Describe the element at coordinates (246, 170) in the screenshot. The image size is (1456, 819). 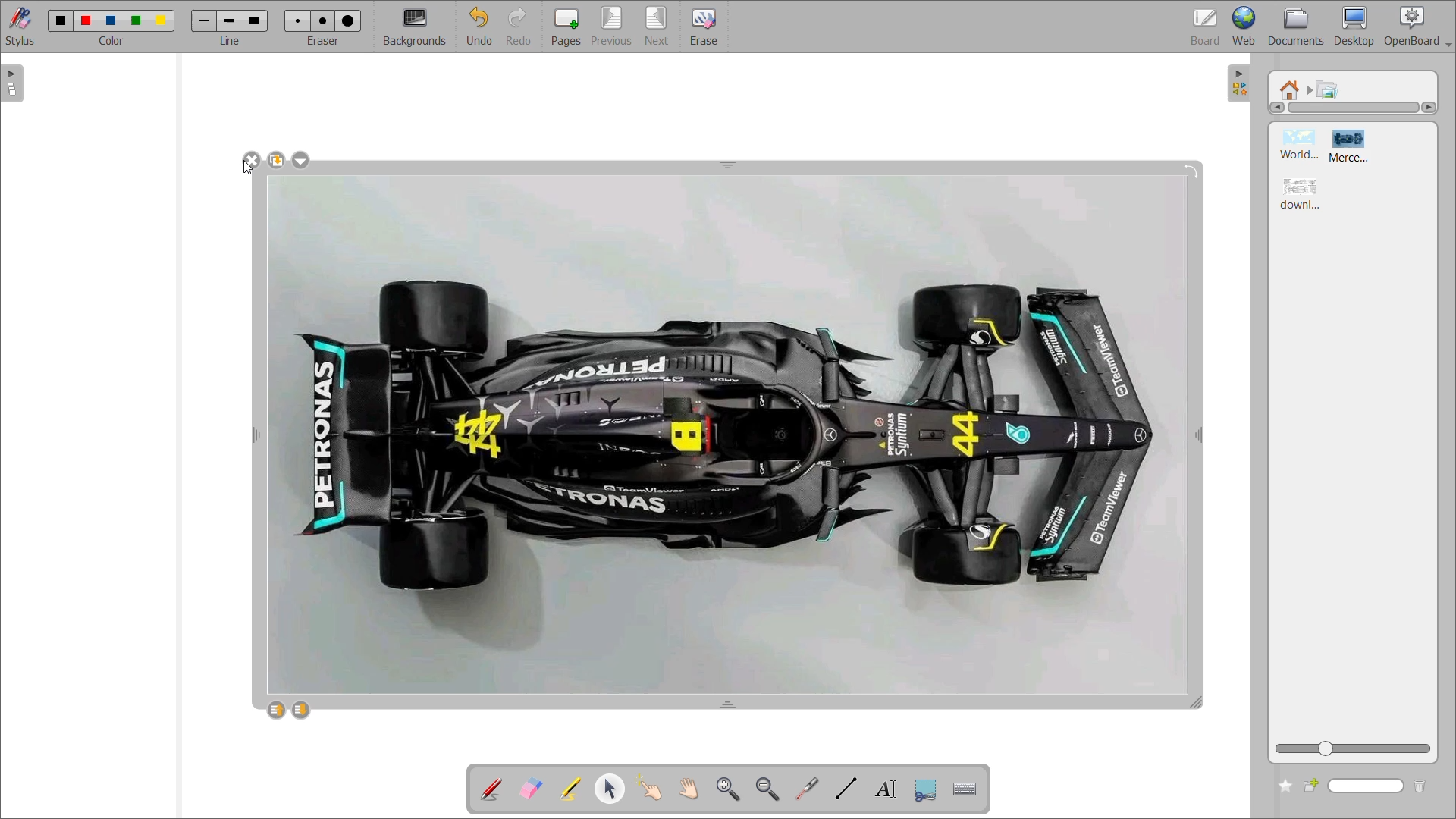
I see `cursor` at that location.